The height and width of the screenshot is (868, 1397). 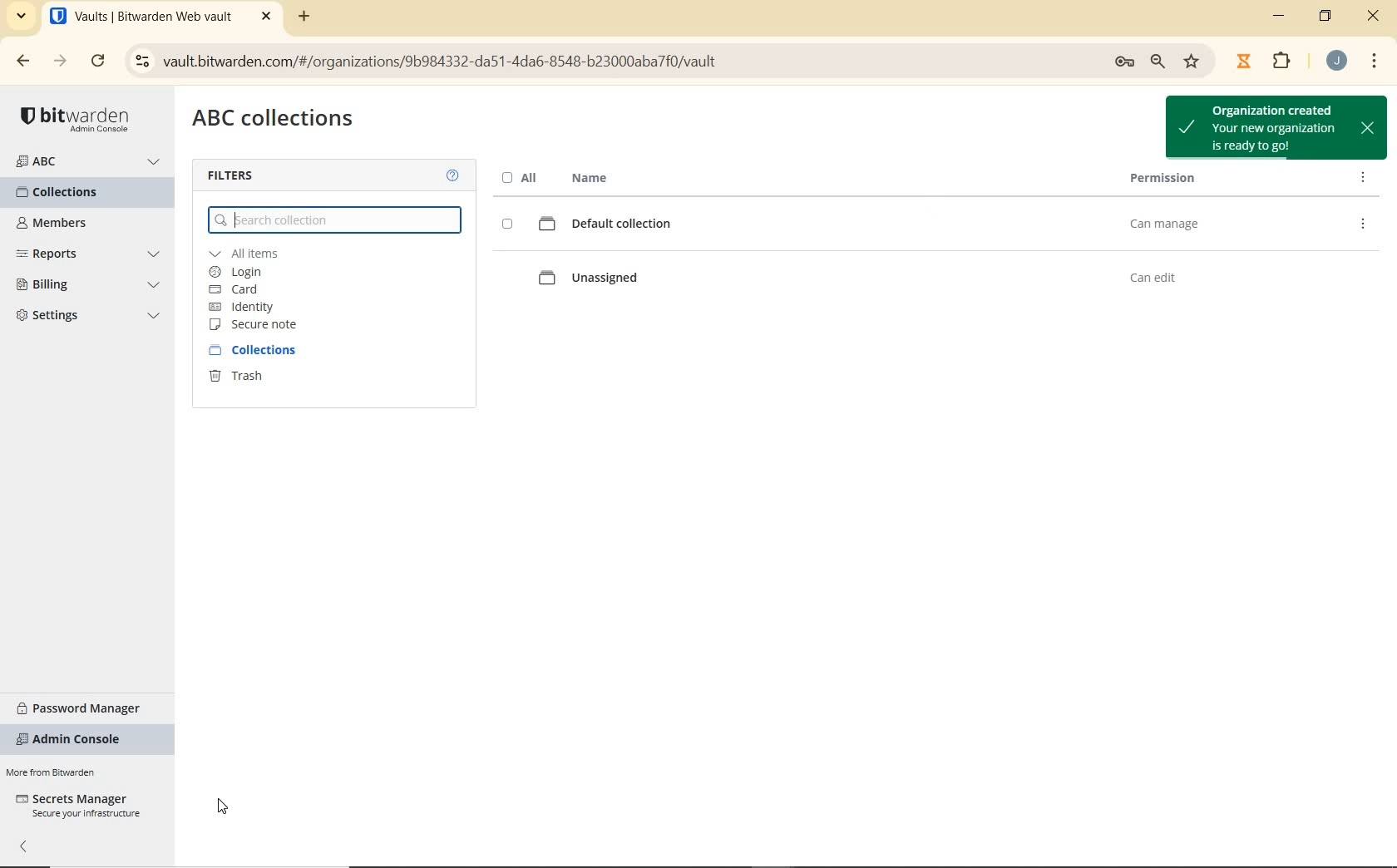 What do you see at coordinates (100, 62) in the screenshot?
I see `reload` at bounding box center [100, 62].